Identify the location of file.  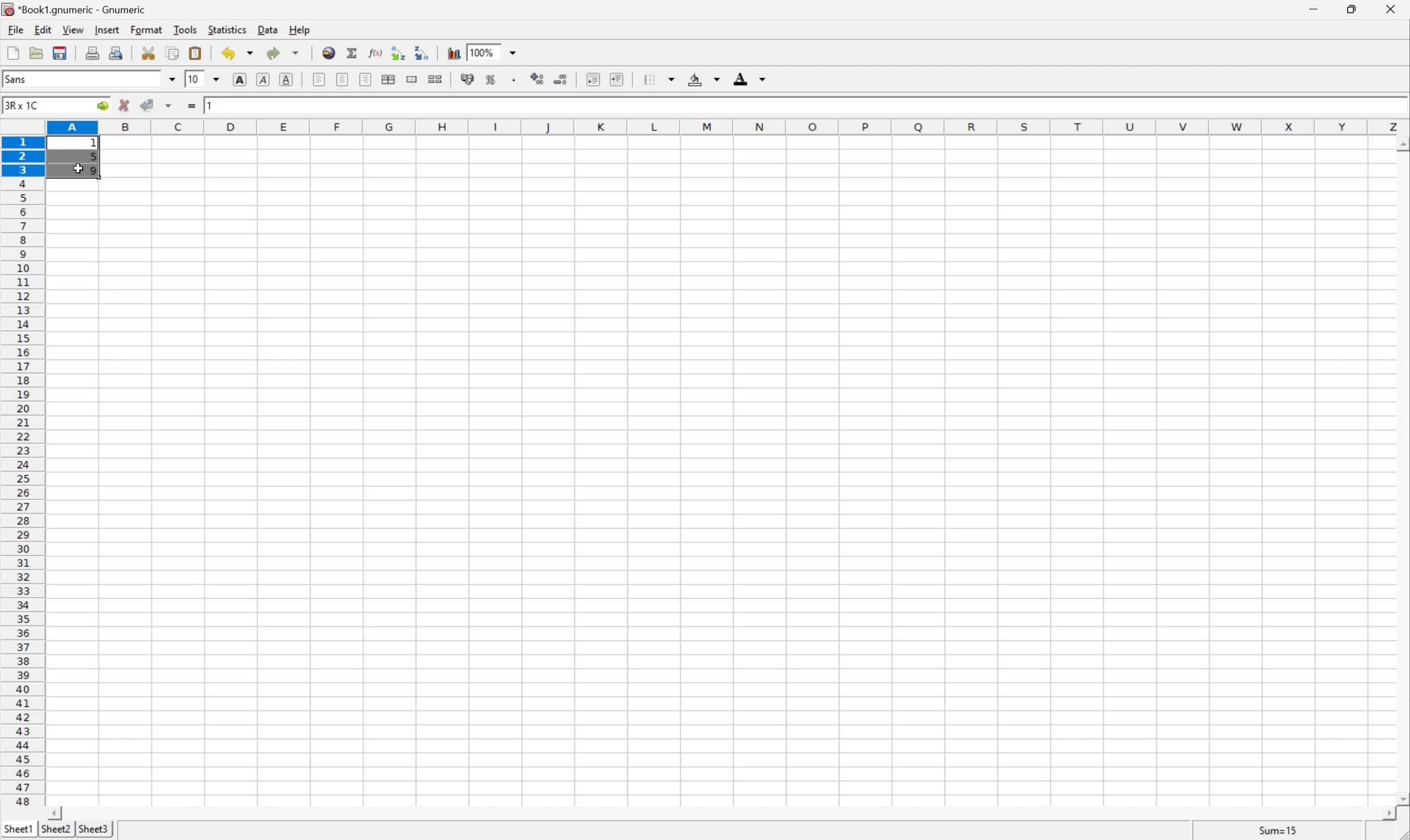
(14, 28).